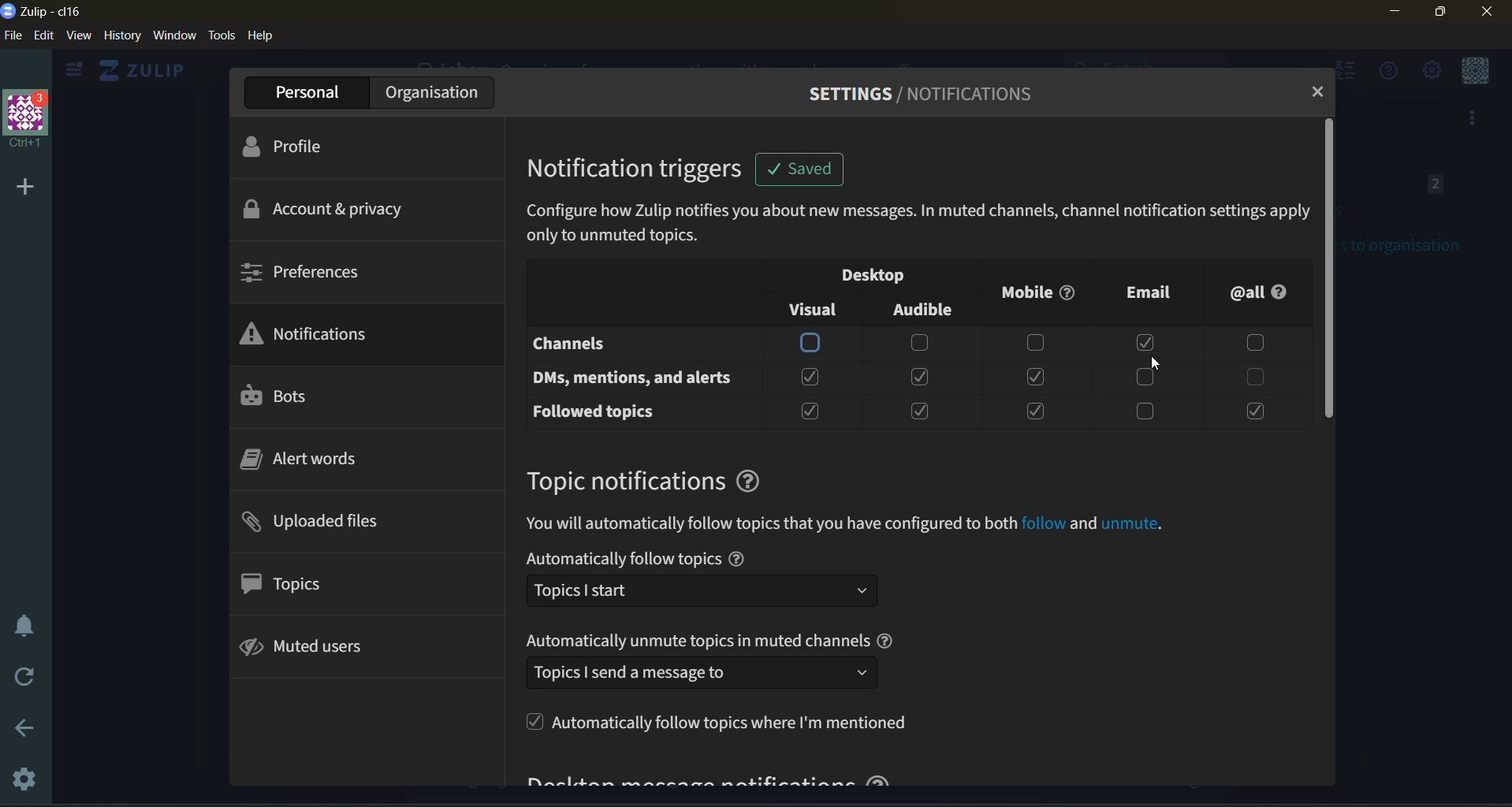 The height and width of the screenshot is (807, 1512). I want to click on select follow topic, so click(702, 590).